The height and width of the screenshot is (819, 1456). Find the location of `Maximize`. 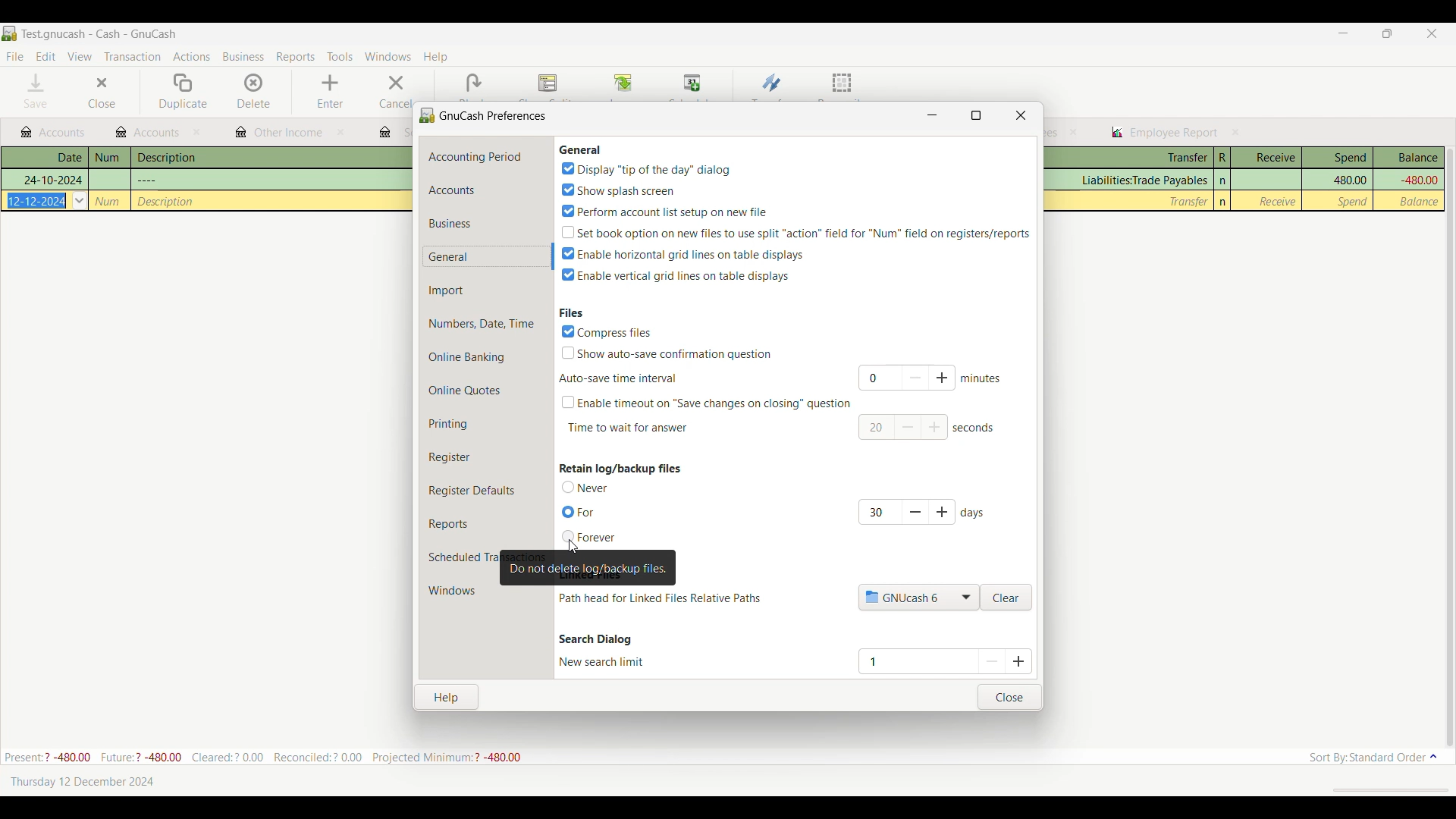

Maximize is located at coordinates (976, 115).